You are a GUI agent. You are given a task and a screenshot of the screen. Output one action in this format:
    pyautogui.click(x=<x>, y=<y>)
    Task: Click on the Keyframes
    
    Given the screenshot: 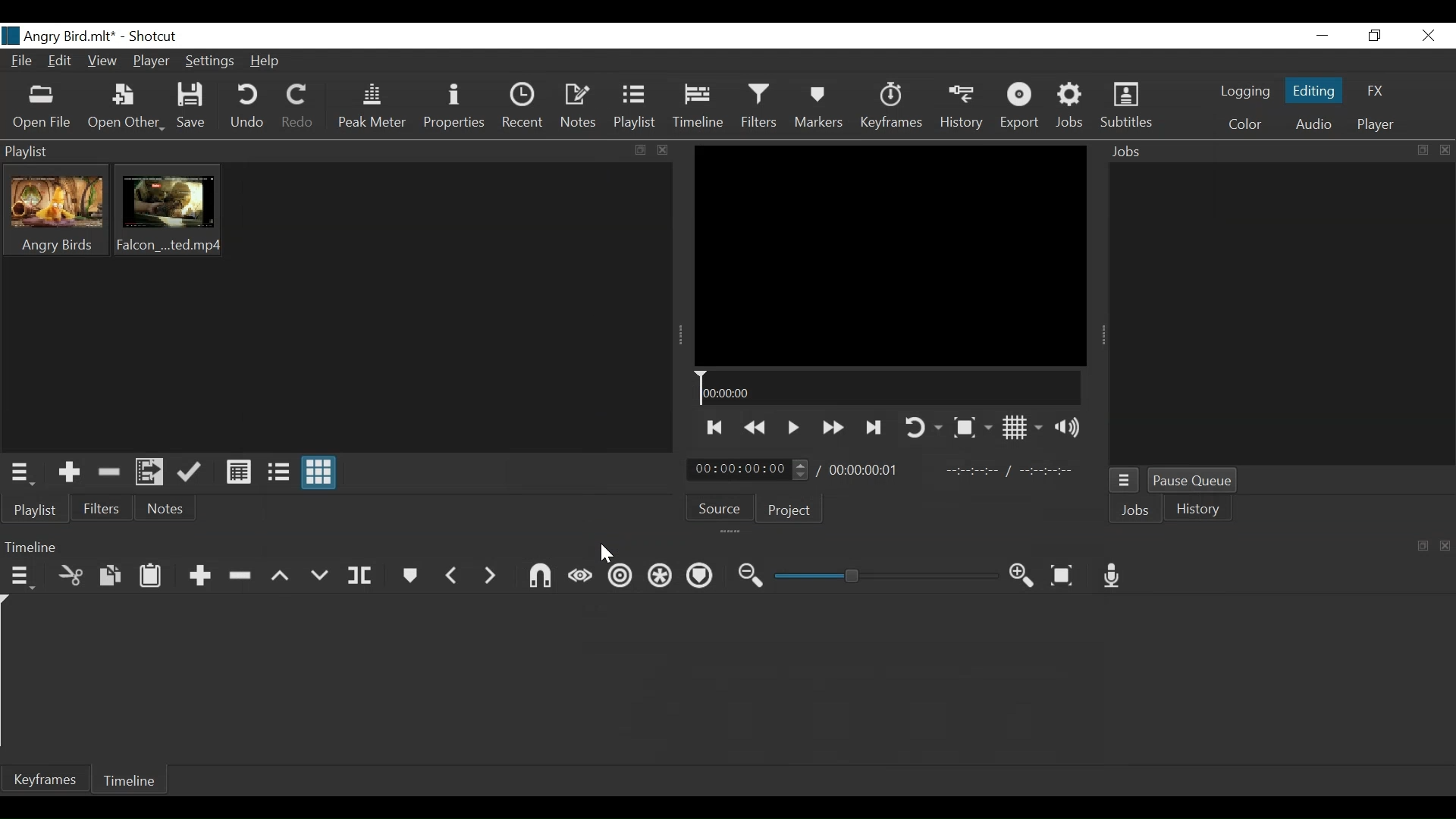 What is the action you would take?
    pyautogui.click(x=890, y=106)
    